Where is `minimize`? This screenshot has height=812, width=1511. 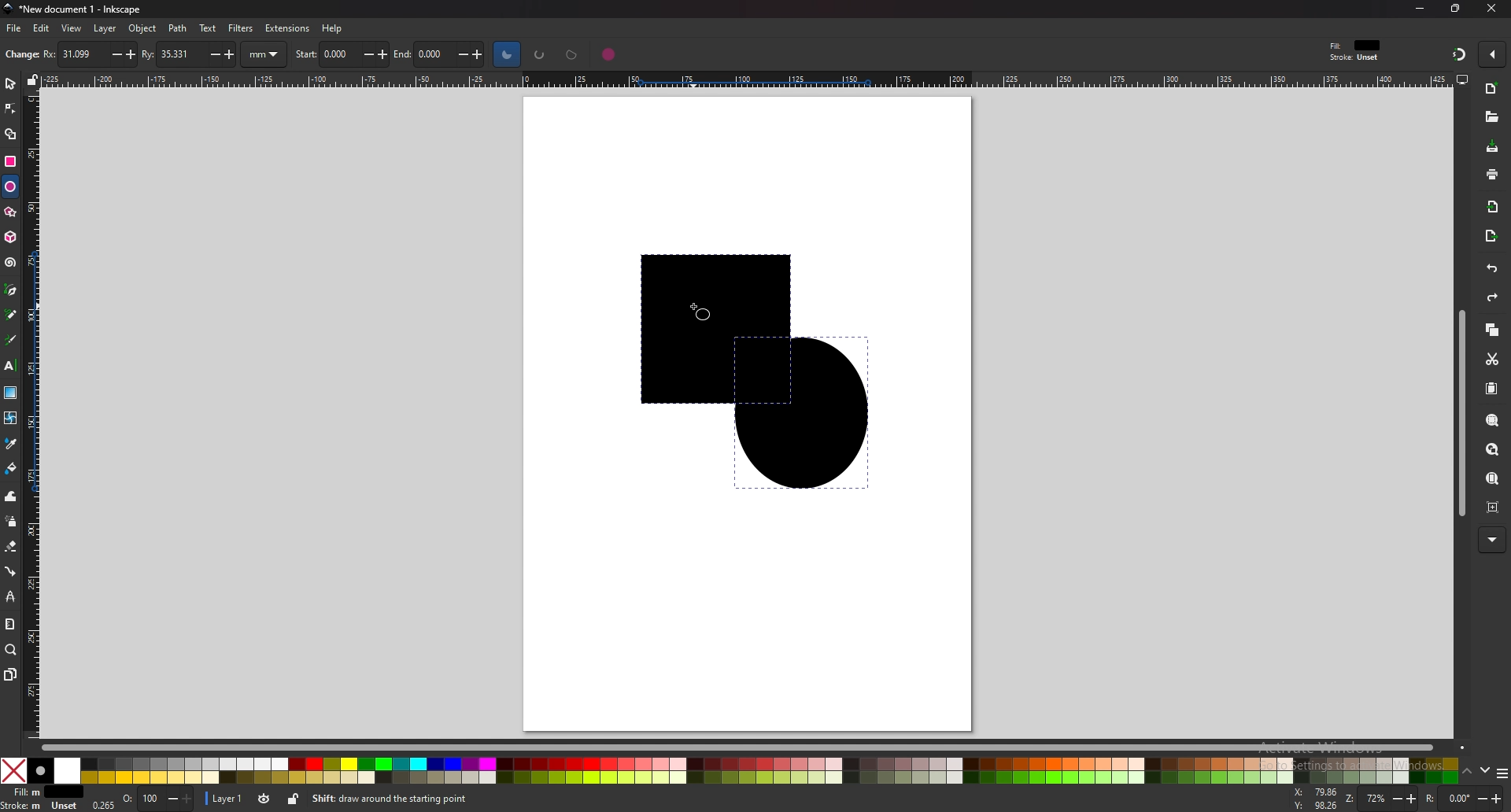
minimize is located at coordinates (1421, 8).